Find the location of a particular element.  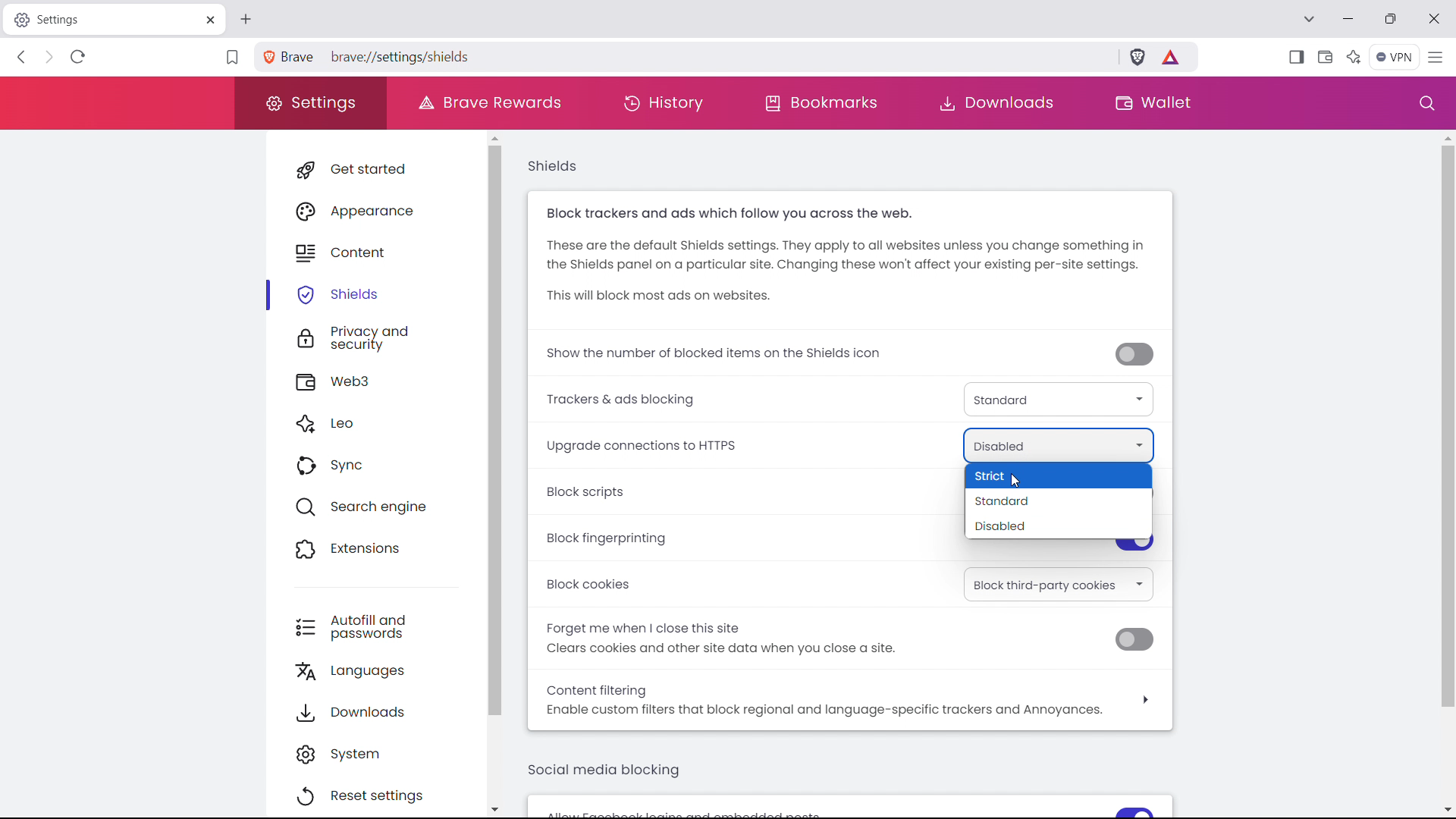

standard is located at coordinates (1058, 501).